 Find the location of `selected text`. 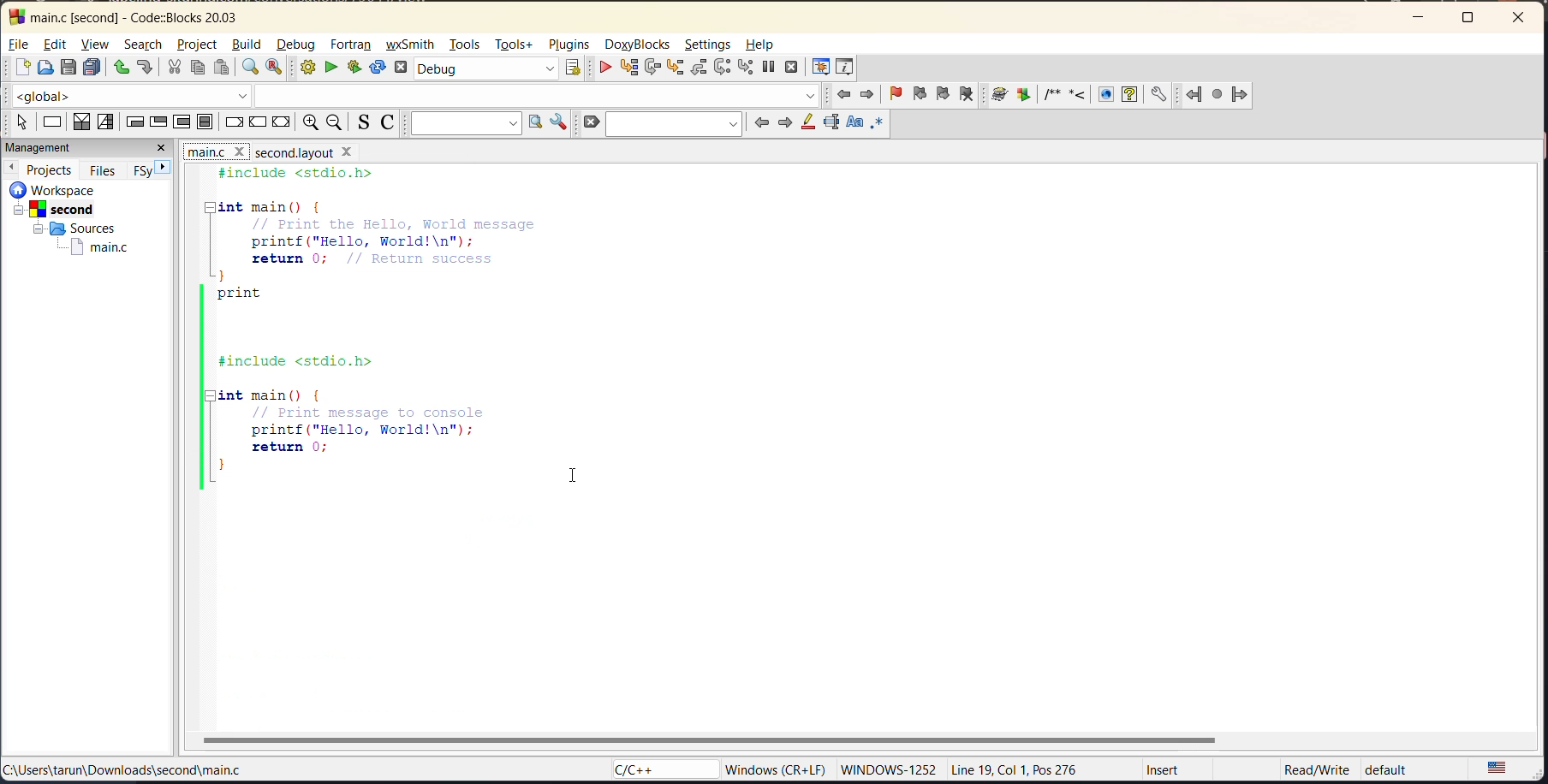

selected text is located at coordinates (832, 123).